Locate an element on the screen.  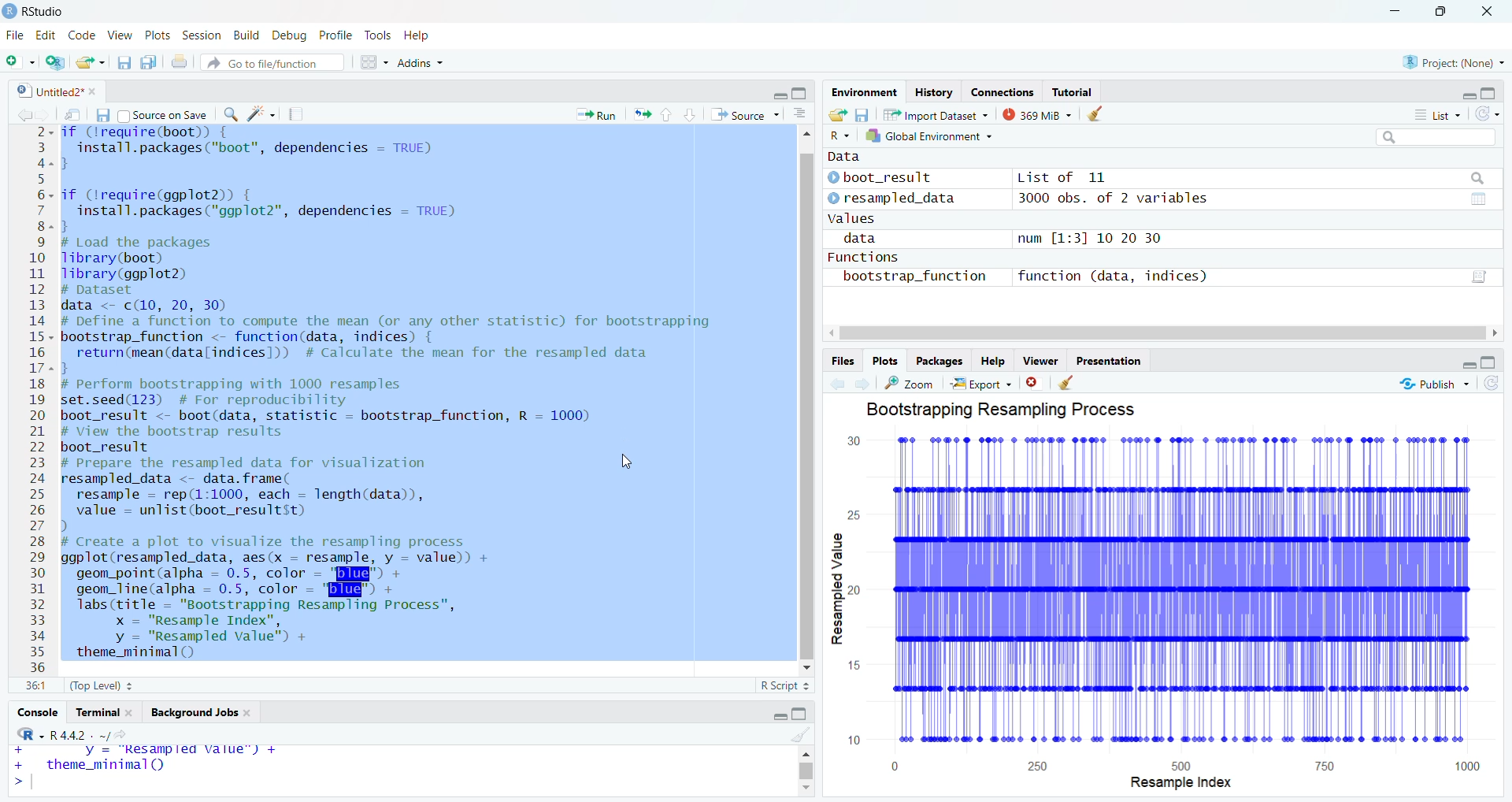
hide r script is located at coordinates (781, 715).